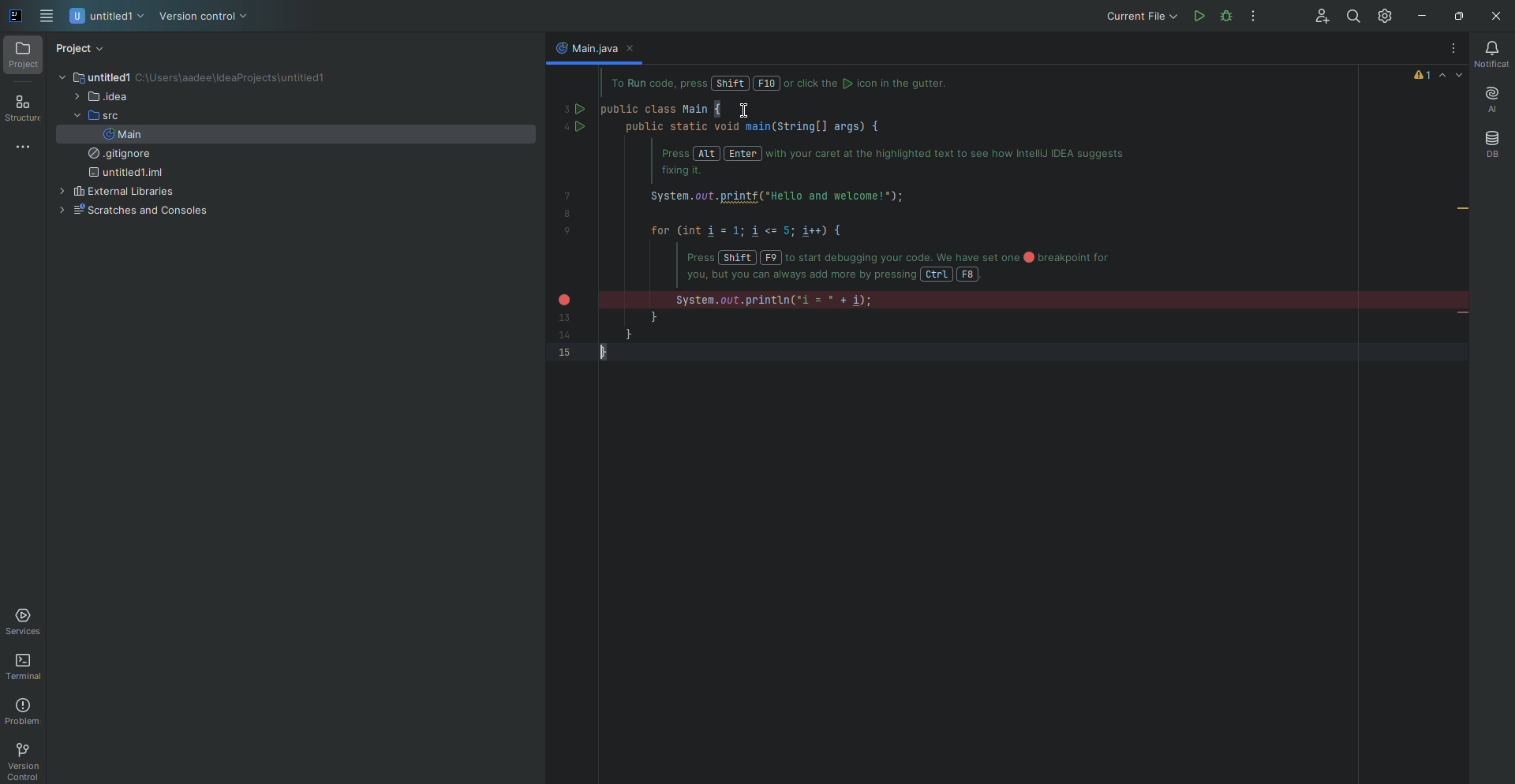 The image size is (1515, 784). Describe the element at coordinates (1256, 16) in the screenshot. I see `Debug` at that location.